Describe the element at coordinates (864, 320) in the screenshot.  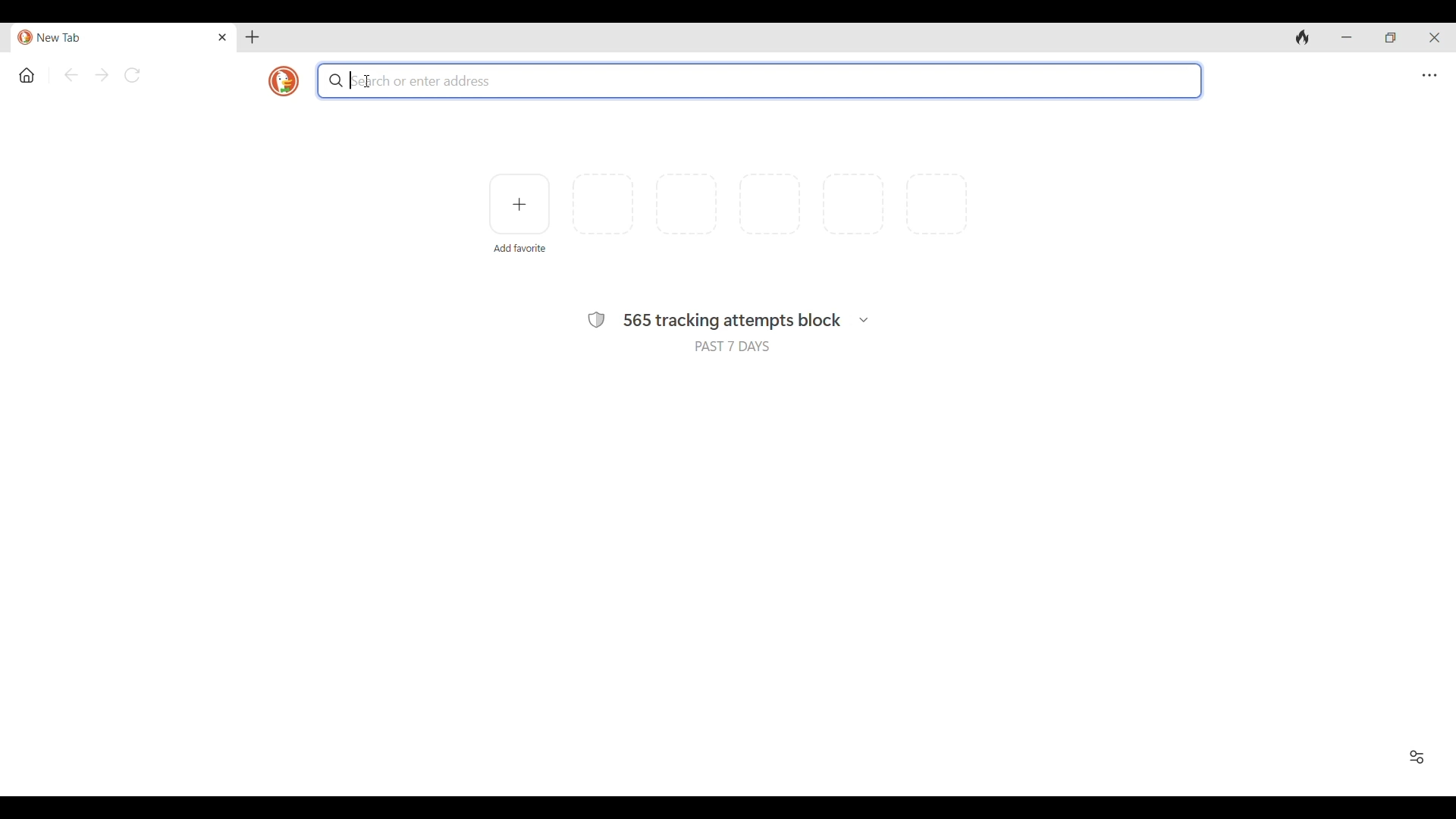
I see `Search history broken down w.r.t. trackers blocked in each` at that location.